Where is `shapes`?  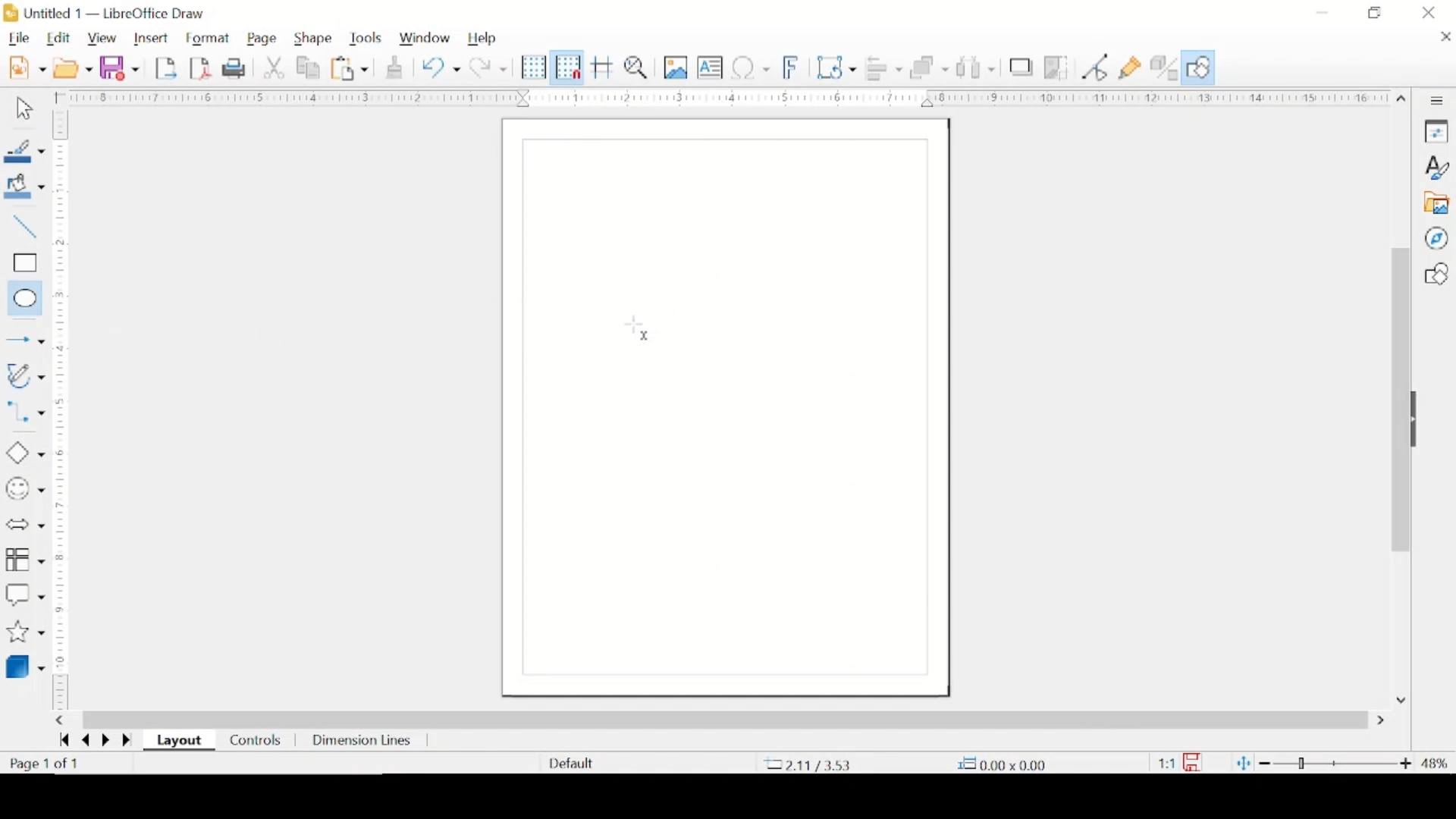 shapes is located at coordinates (1436, 274).